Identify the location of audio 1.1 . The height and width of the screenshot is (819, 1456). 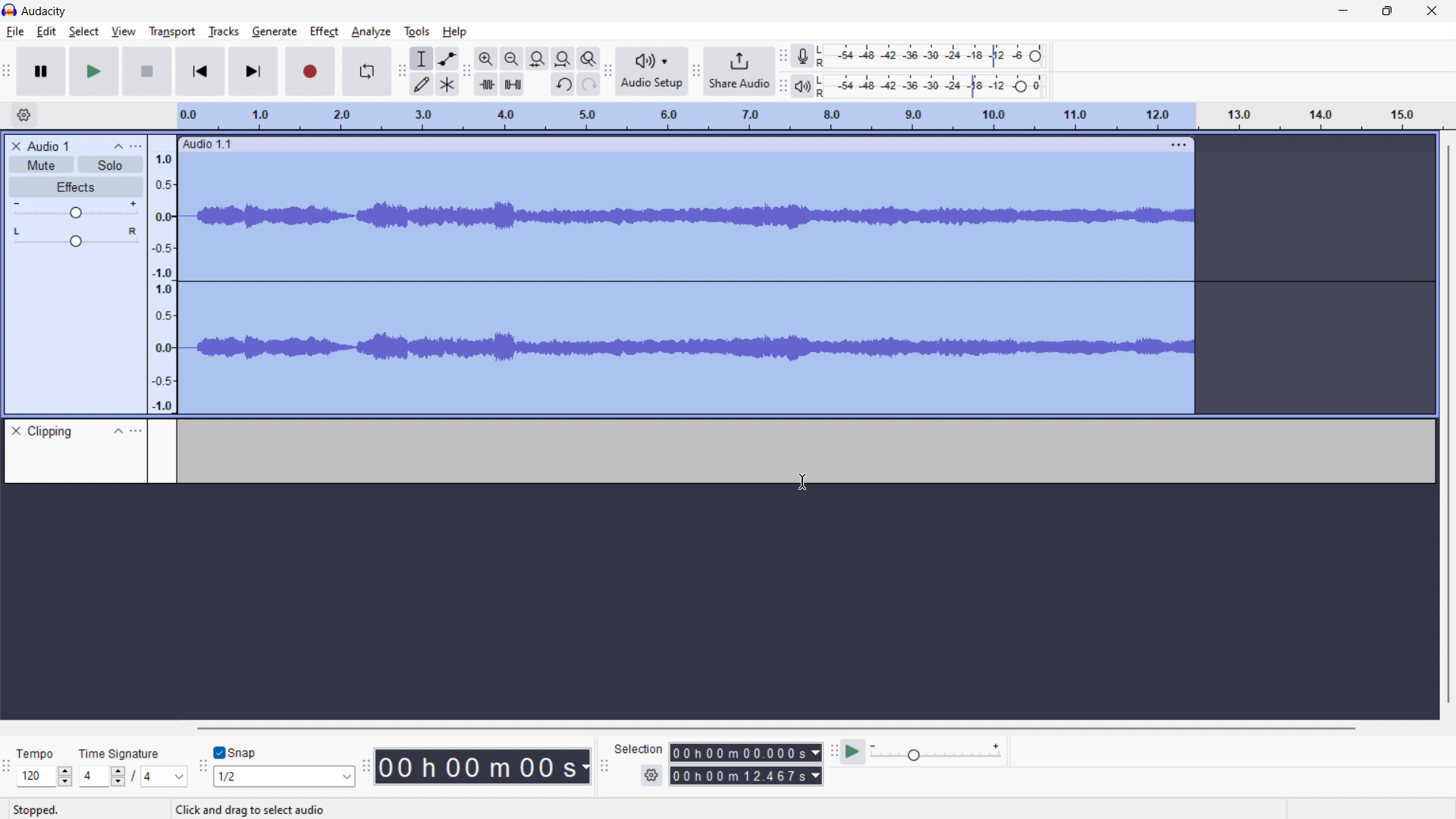
(209, 145).